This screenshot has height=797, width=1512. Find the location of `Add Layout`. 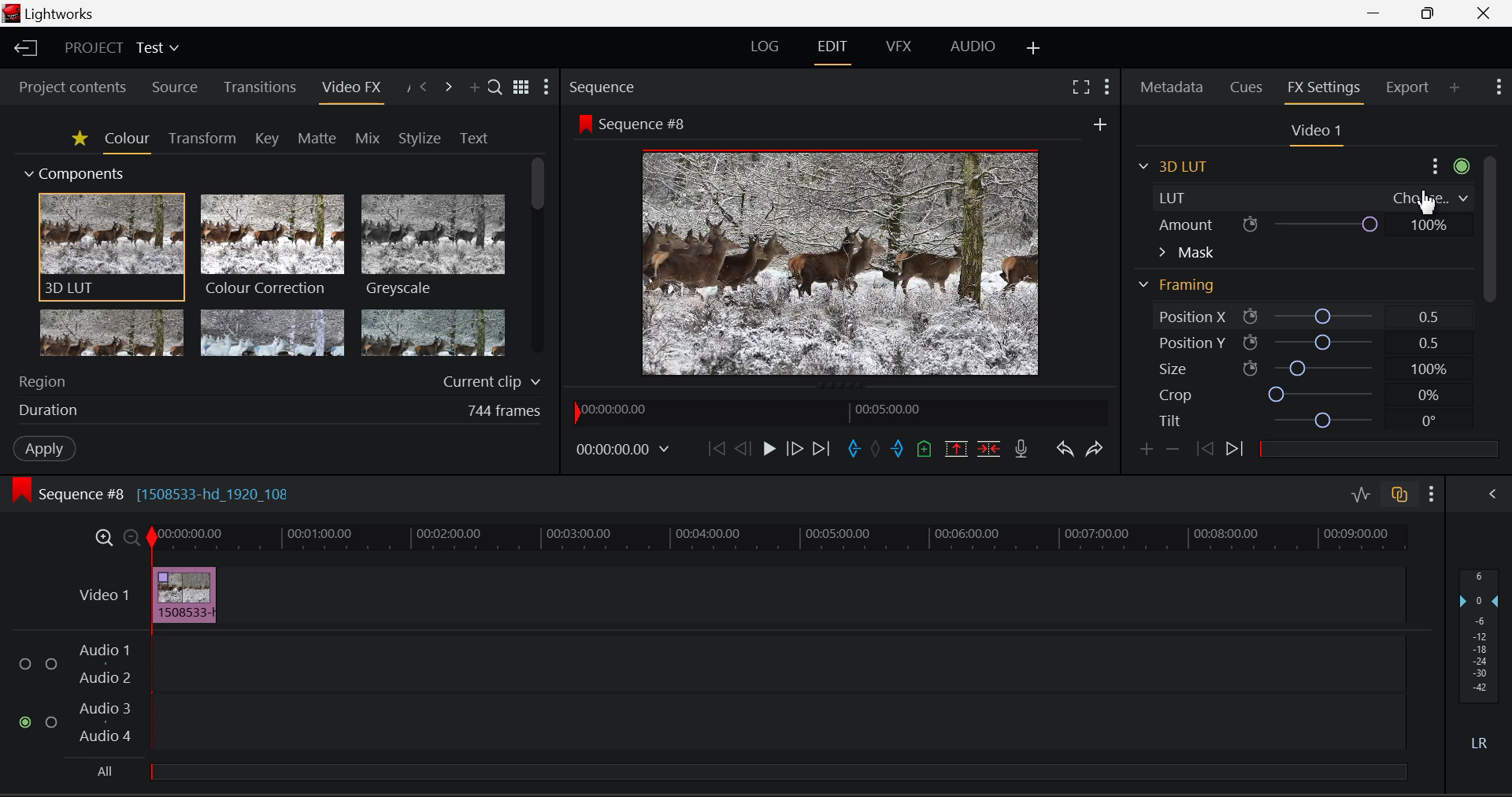

Add Layout is located at coordinates (1032, 48).